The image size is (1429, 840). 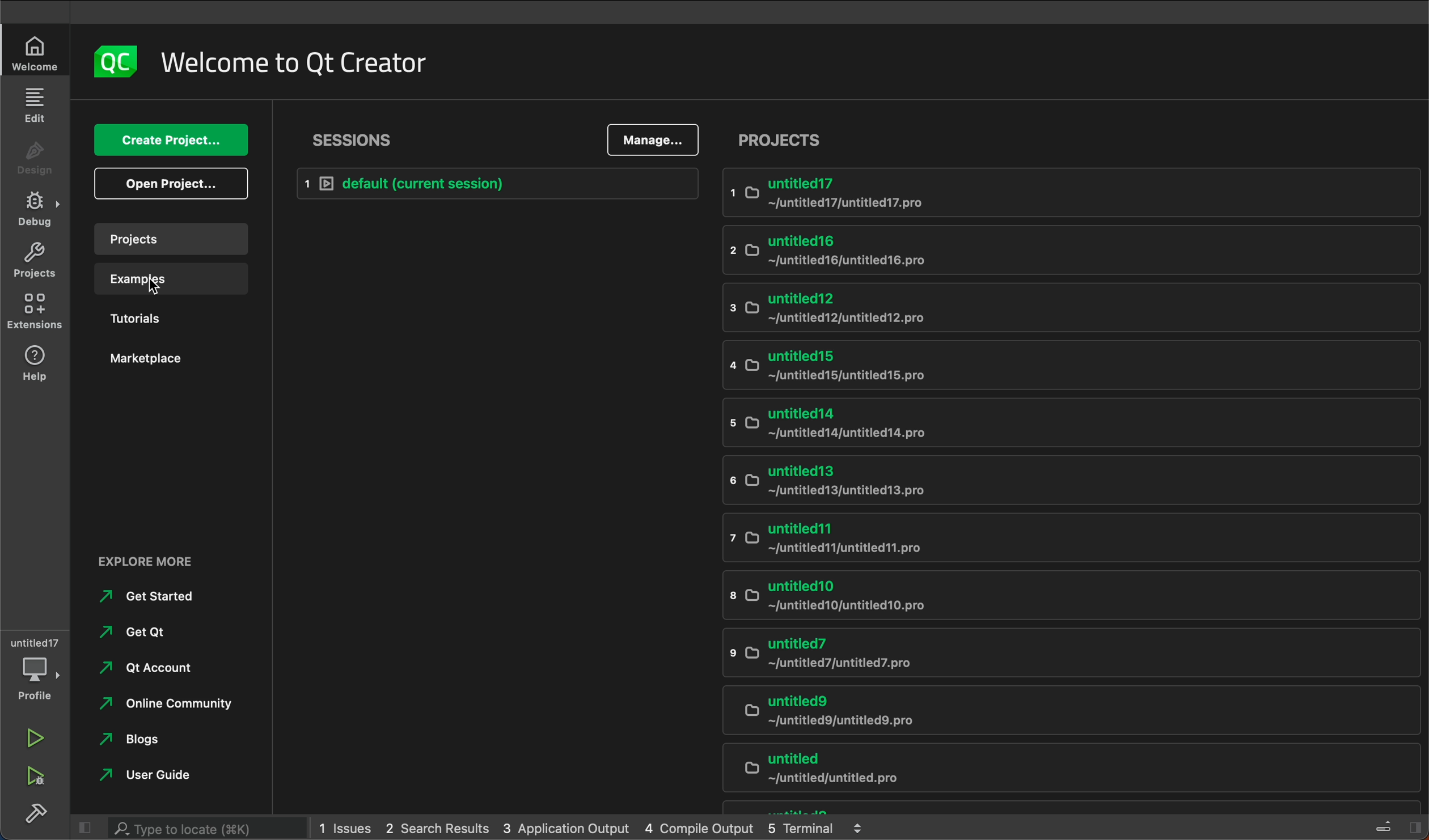 What do you see at coordinates (170, 185) in the screenshot?
I see `open` at bounding box center [170, 185].